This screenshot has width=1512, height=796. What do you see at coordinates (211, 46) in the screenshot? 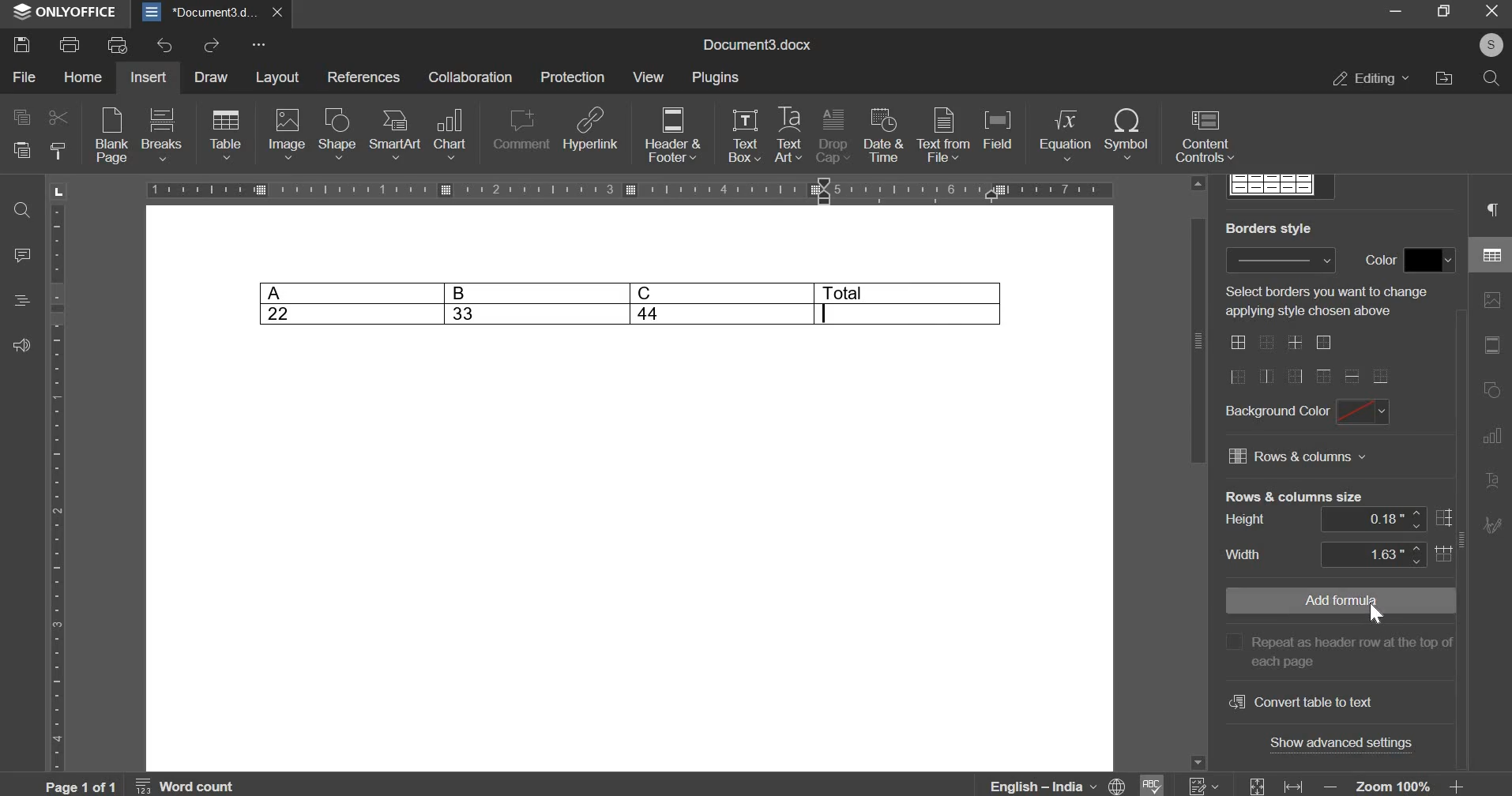
I see `redo` at bounding box center [211, 46].